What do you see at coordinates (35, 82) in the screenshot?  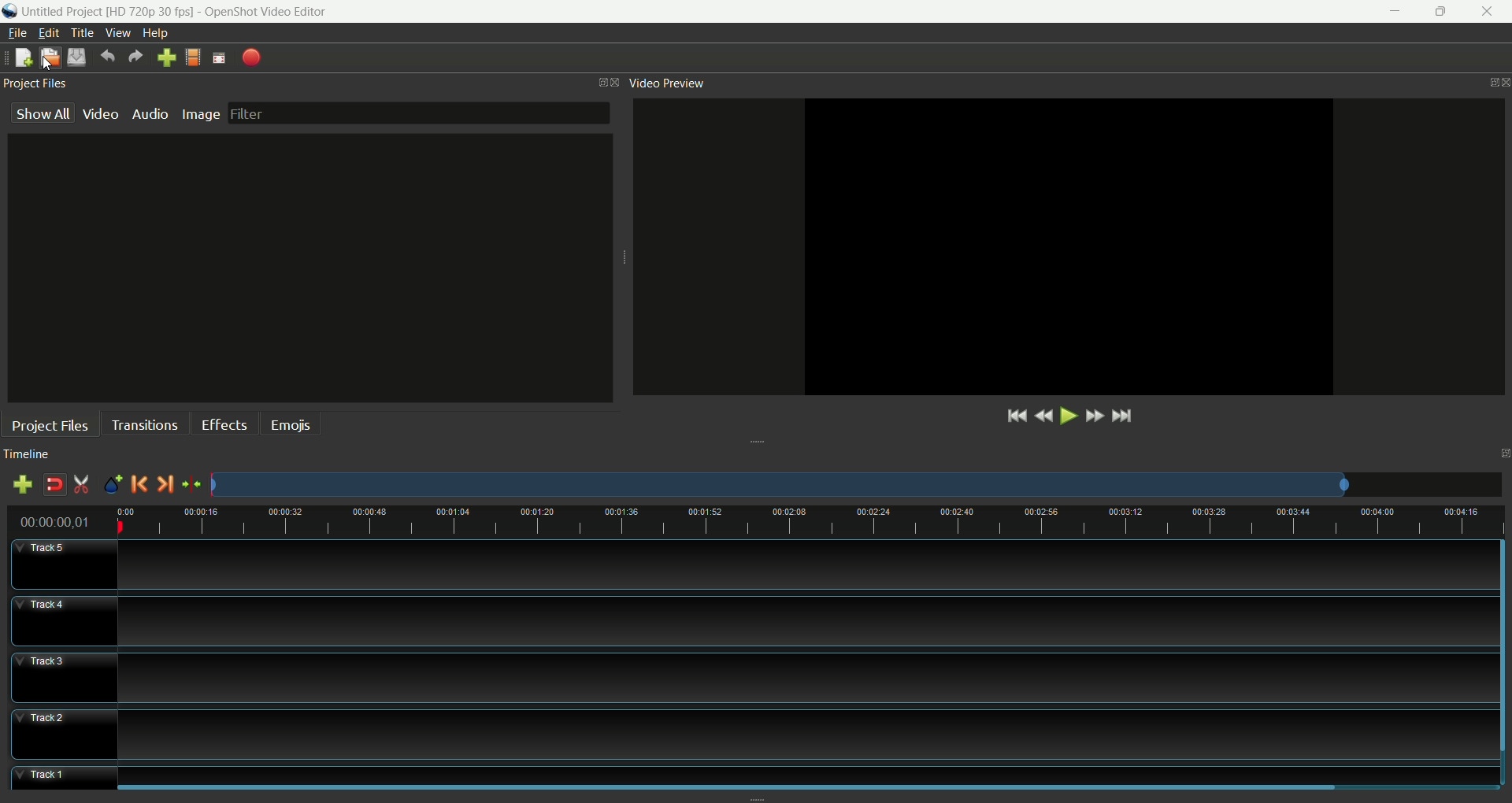 I see `project files` at bounding box center [35, 82].